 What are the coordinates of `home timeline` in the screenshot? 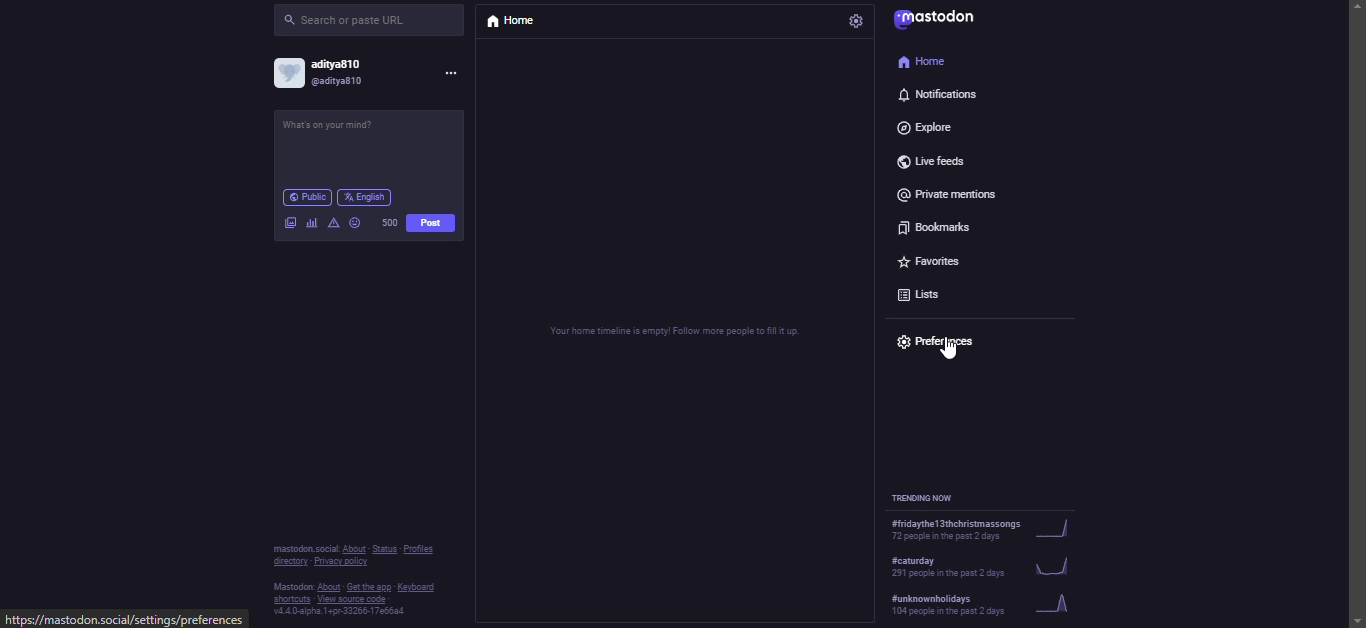 It's located at (677, 331).